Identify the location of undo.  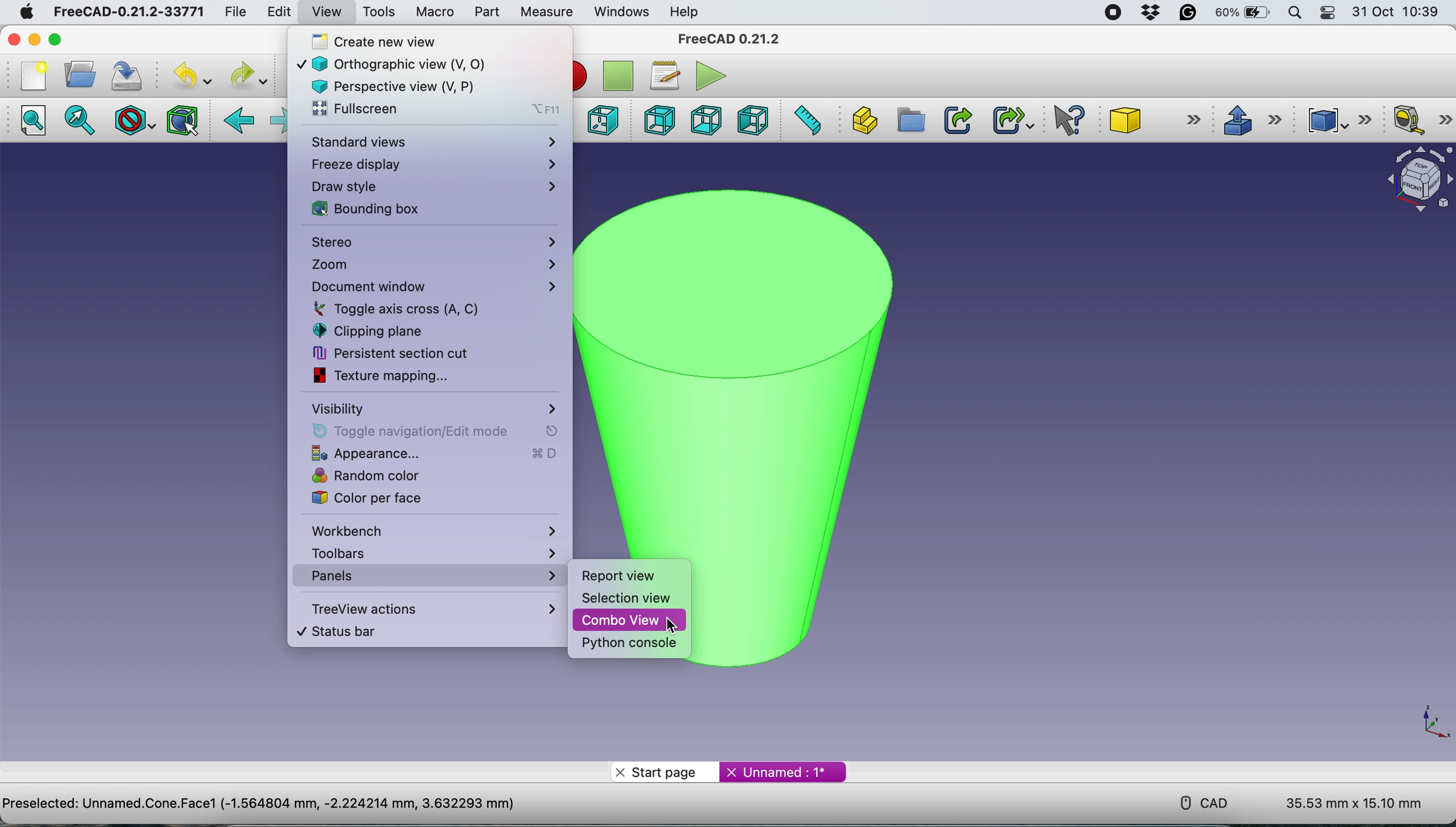
(188, 76).